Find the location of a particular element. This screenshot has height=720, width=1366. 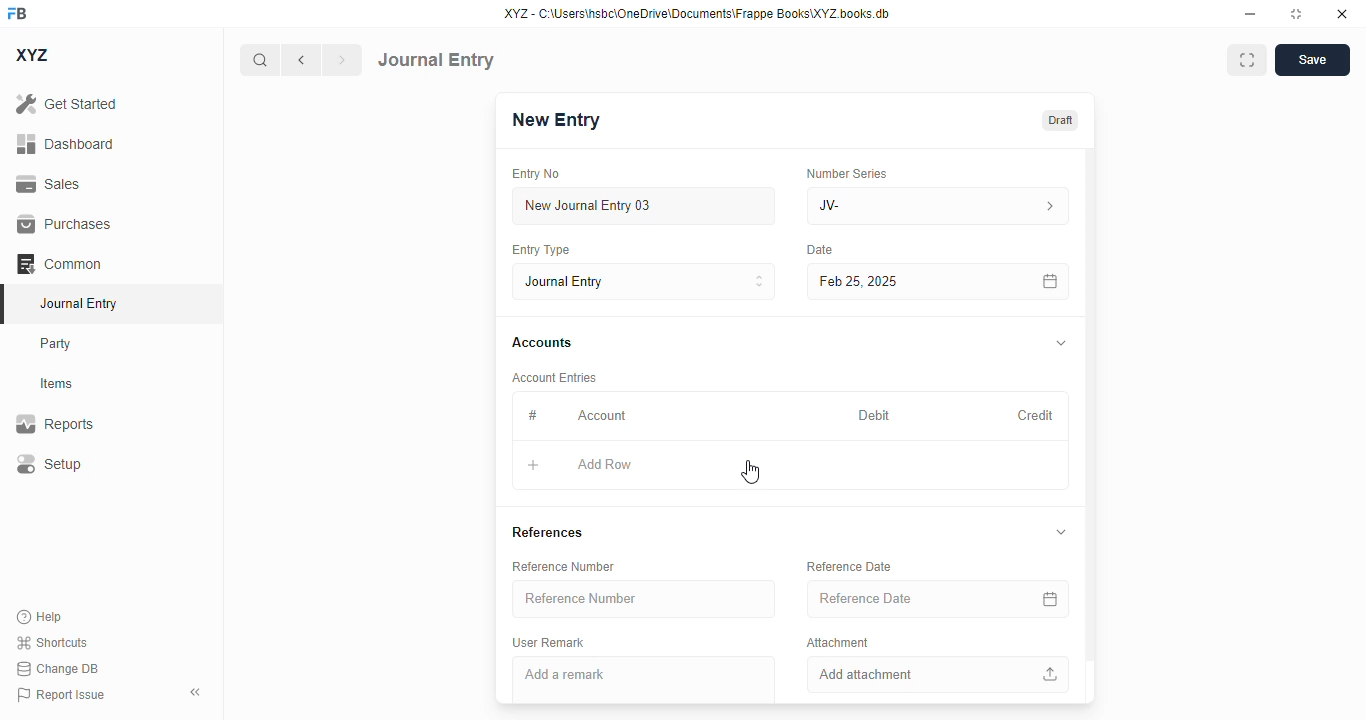

purchases is located at coordinates (65, 224).